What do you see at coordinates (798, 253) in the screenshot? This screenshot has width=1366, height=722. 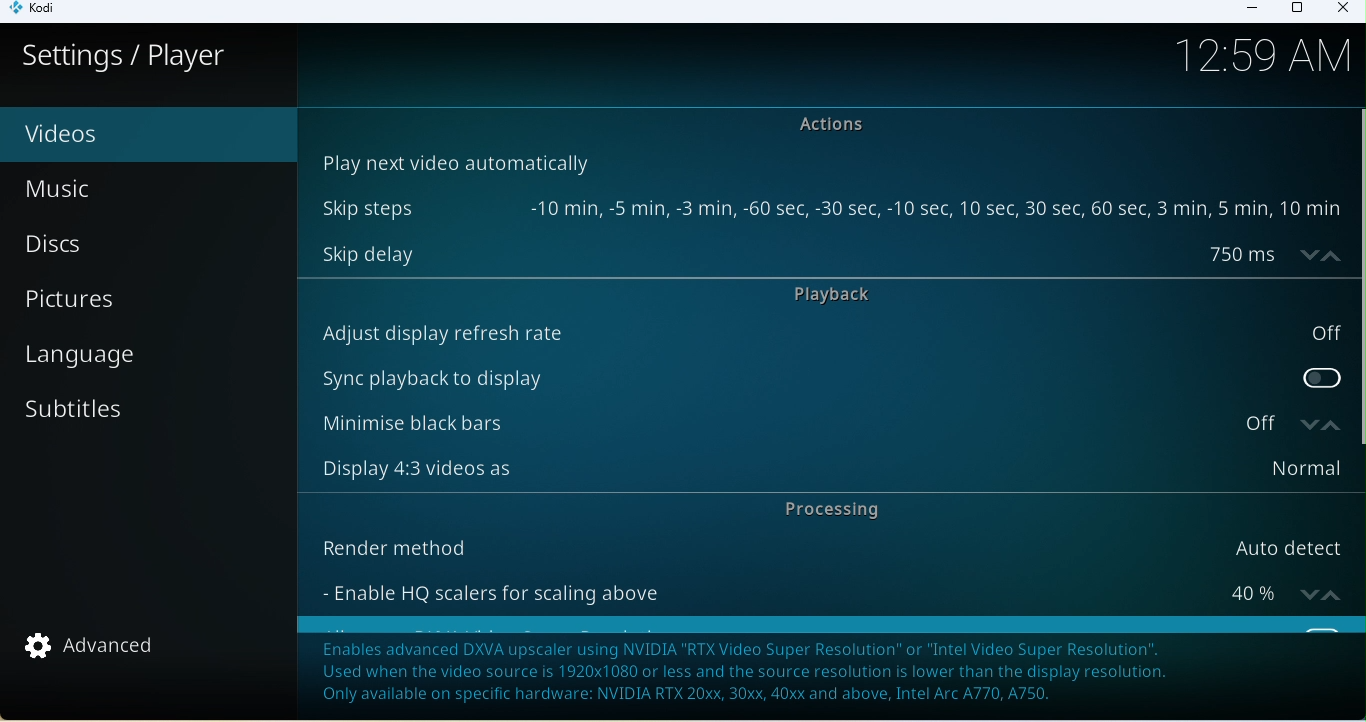 I see `Skip delay` at bounding box center [798, 253].